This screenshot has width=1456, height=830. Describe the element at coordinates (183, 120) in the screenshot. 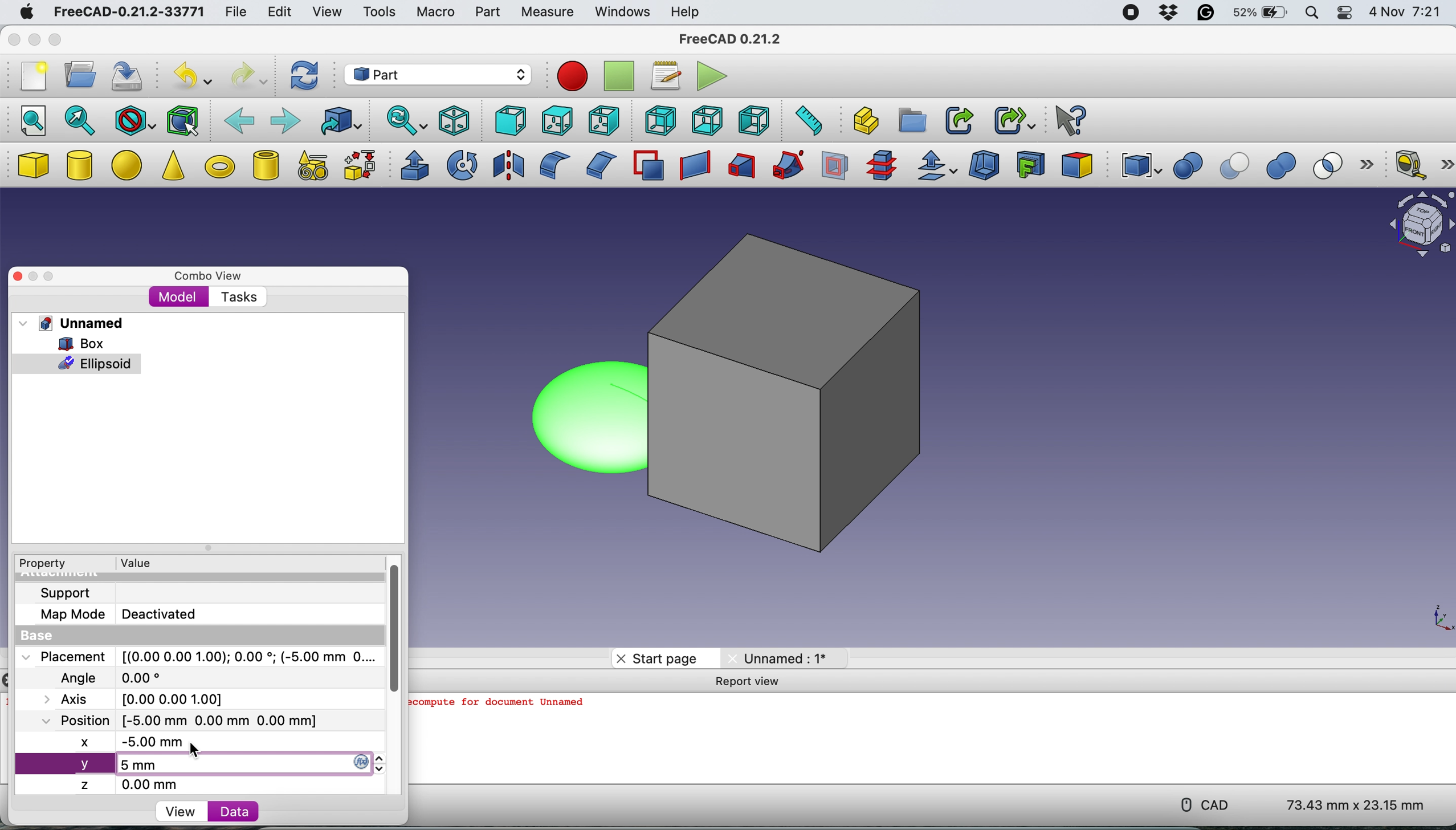

I see `bounding box` at that location.